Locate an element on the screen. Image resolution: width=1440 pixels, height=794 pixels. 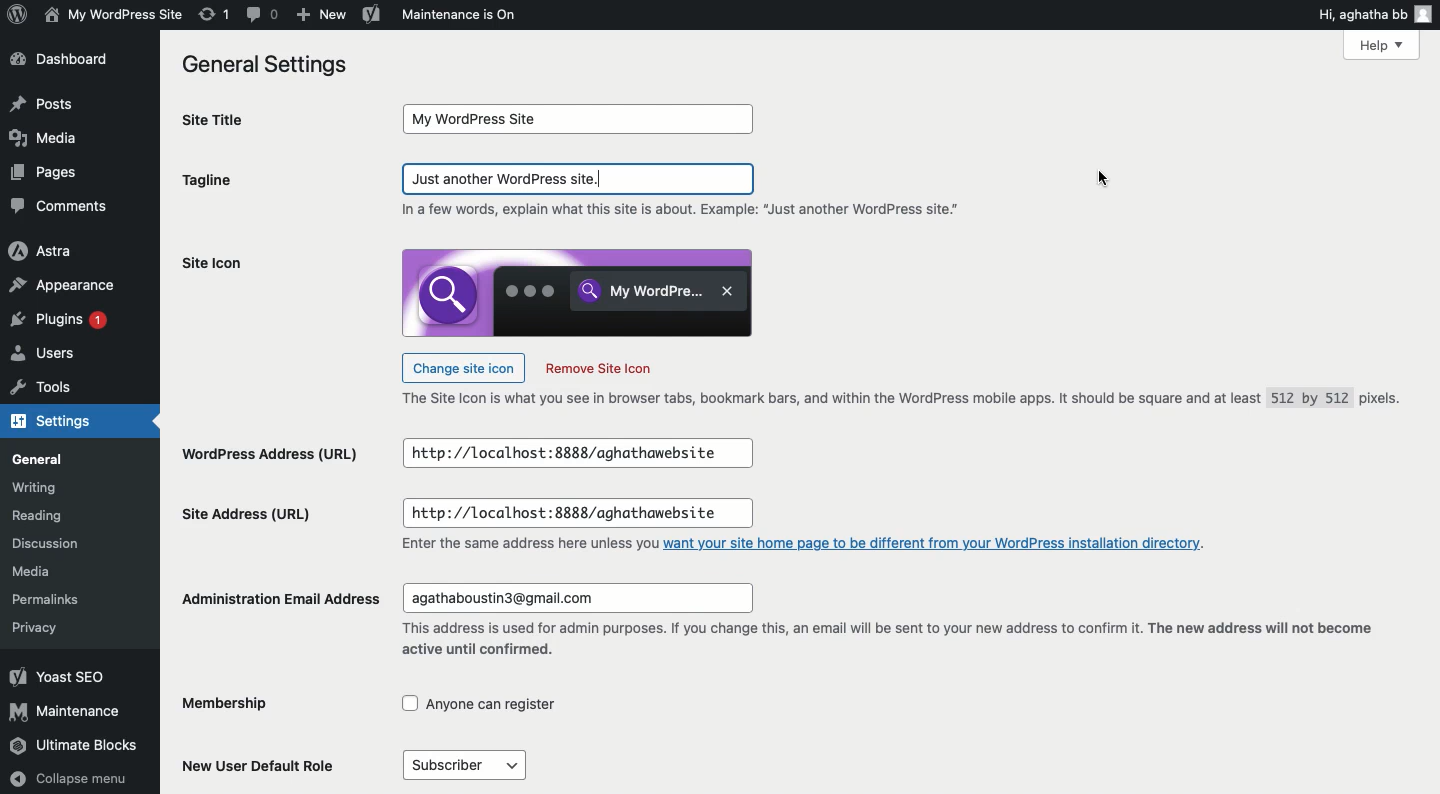
New is located at coordinates (319, 15).